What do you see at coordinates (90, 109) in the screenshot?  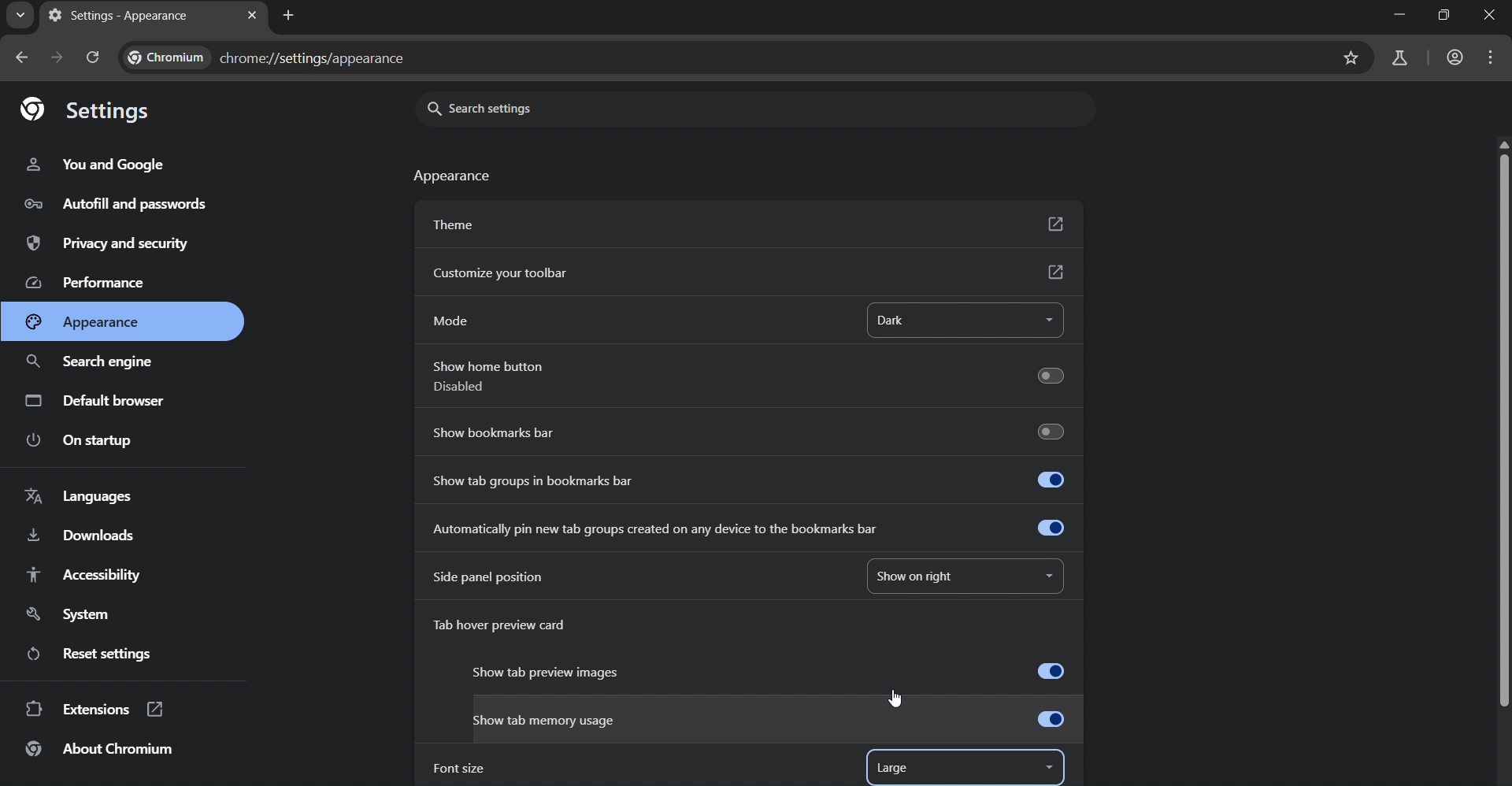 I see `settings` at bounding box center [90, 109].